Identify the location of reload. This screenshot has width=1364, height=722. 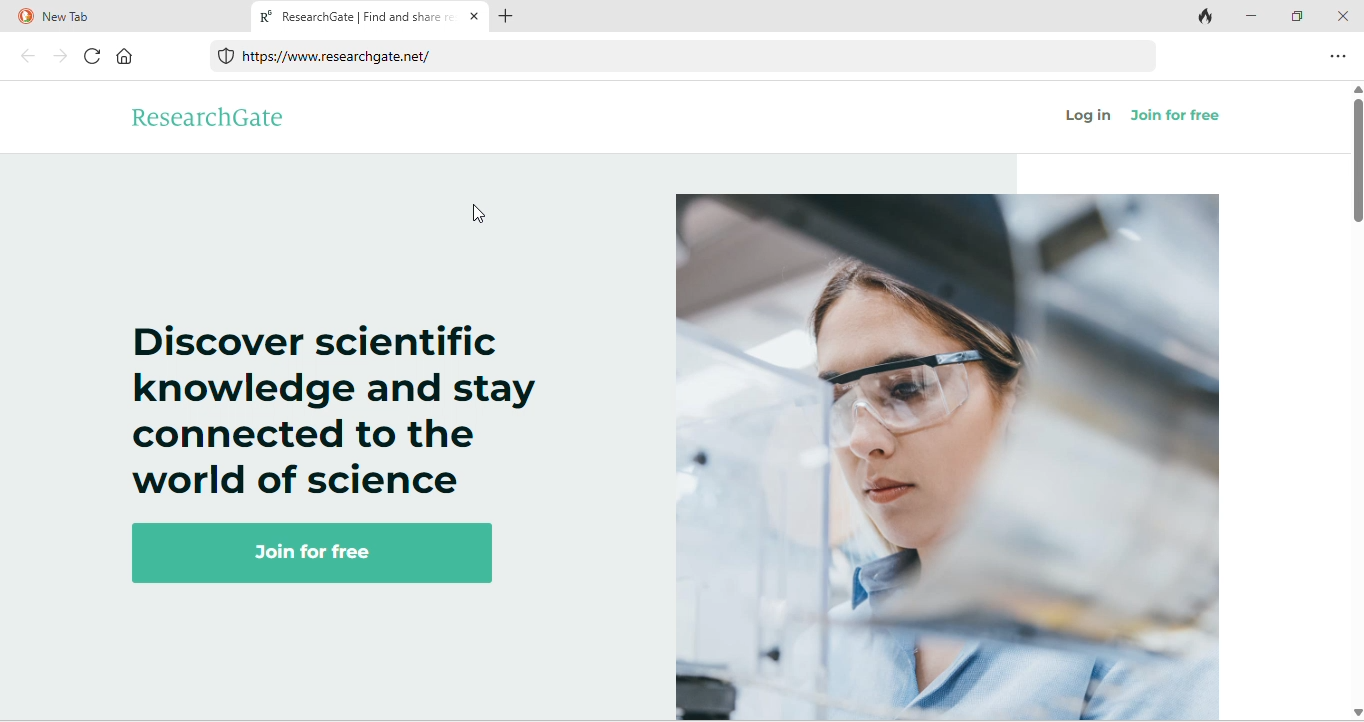
(88, 57).